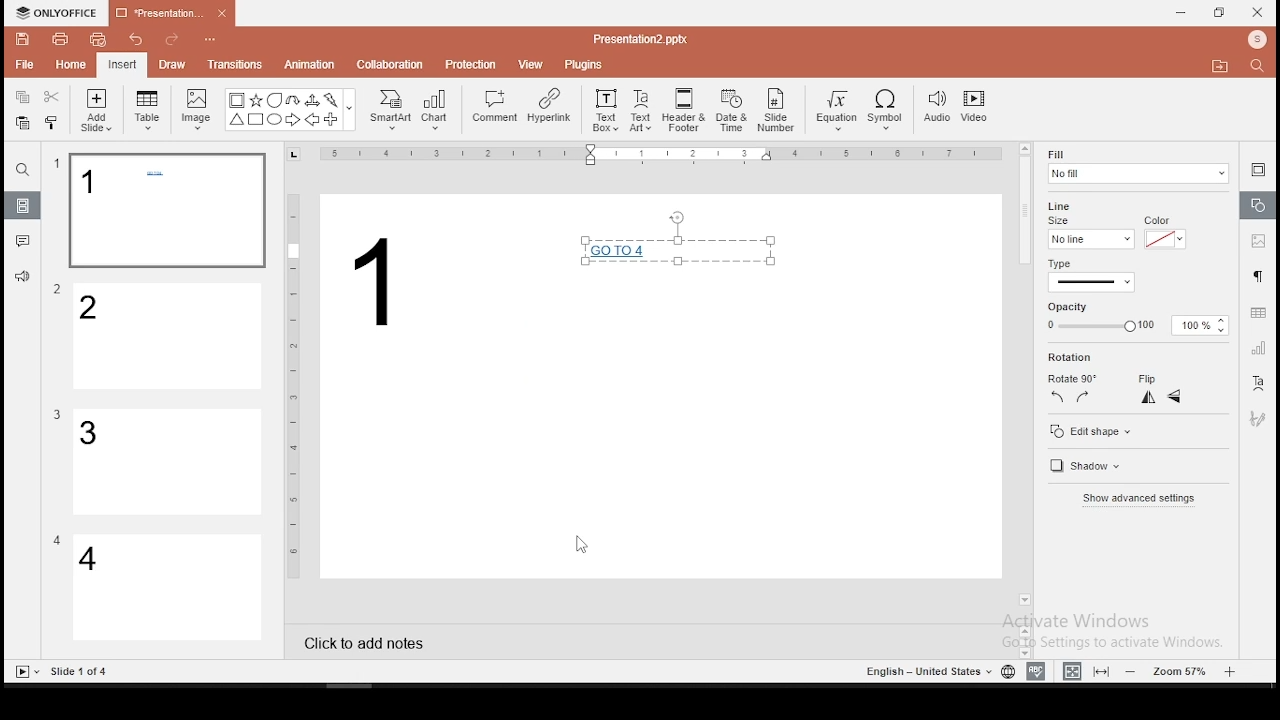 Image resolution: width=1280 pixels, height=720 pixels. What do you see at coordinates (1068, 670) in the screenshot?
I see `fit to width` at bounding box center [1068, 670].